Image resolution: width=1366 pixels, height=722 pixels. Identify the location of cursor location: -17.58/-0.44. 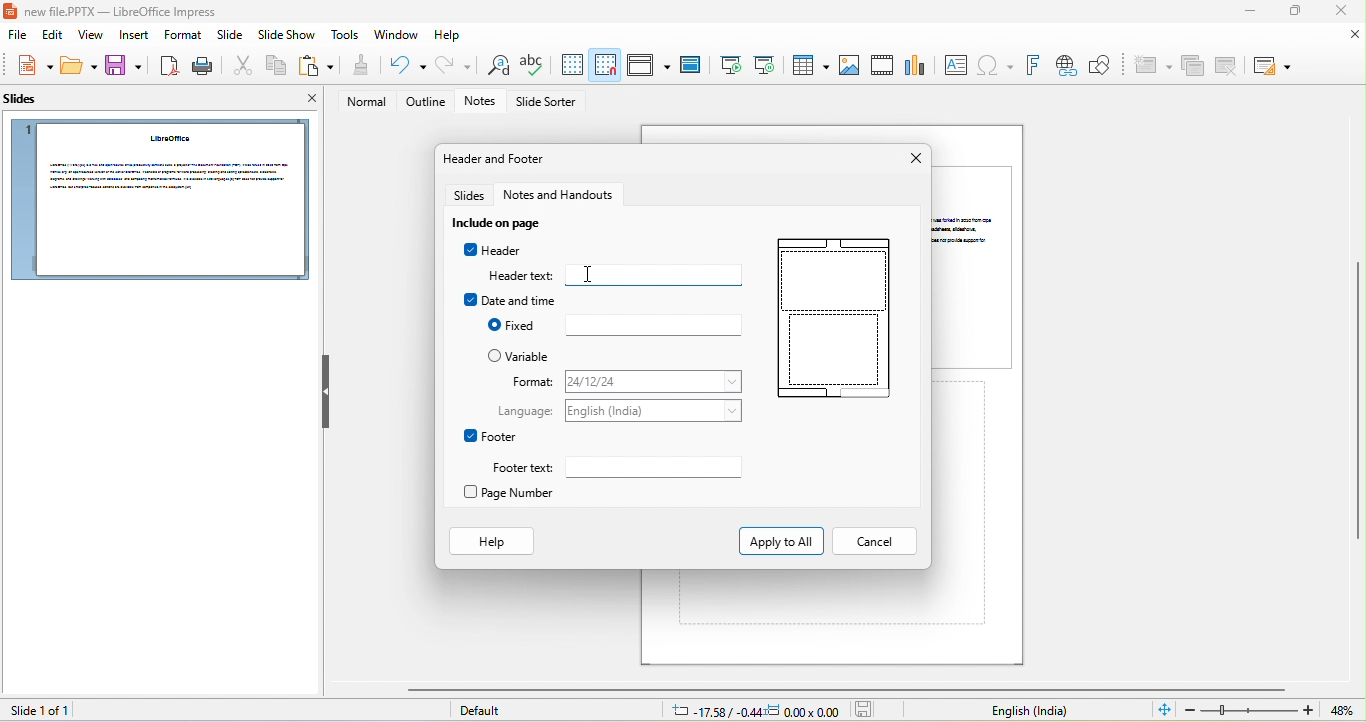
(713, 711).